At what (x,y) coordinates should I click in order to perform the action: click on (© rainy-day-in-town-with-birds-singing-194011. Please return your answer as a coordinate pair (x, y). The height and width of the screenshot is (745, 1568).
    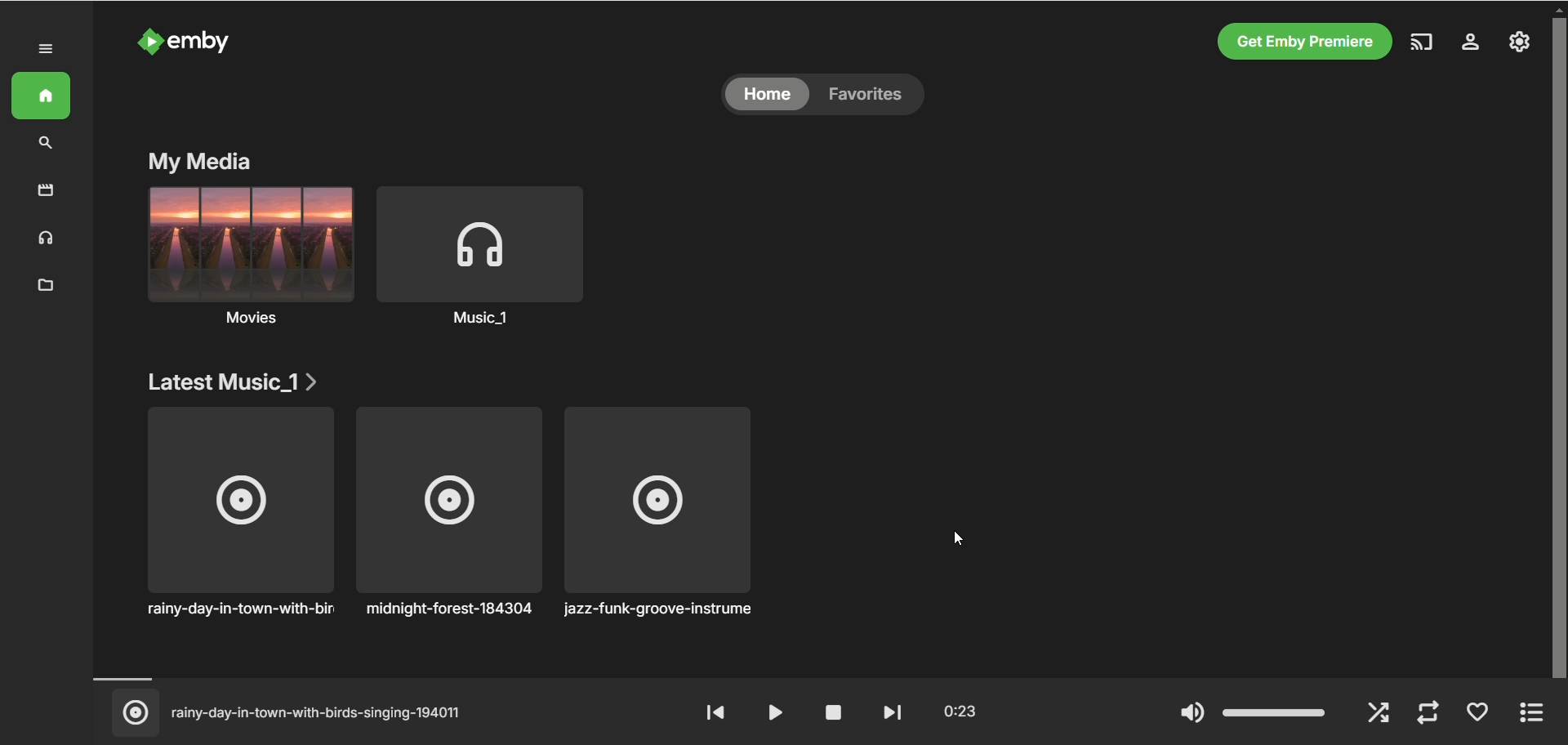
    Looking at the image, I should click on (301, 709).